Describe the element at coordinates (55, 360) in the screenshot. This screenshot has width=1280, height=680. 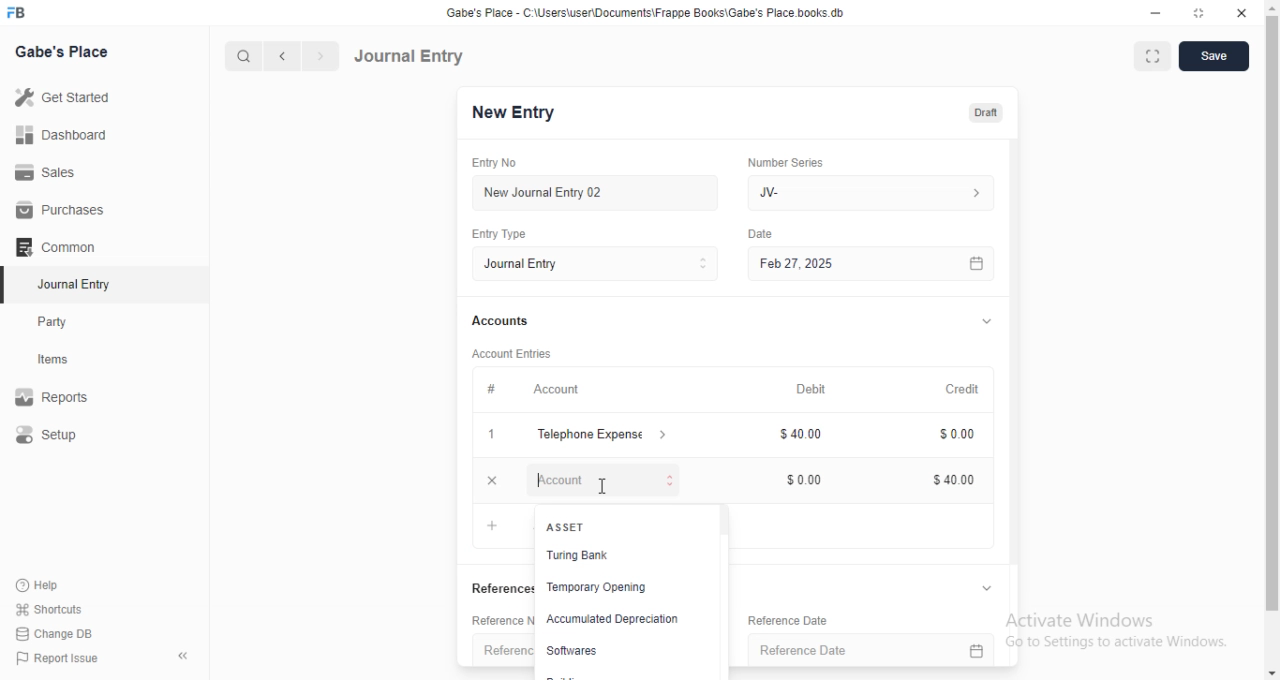
I see `Items` at that location.